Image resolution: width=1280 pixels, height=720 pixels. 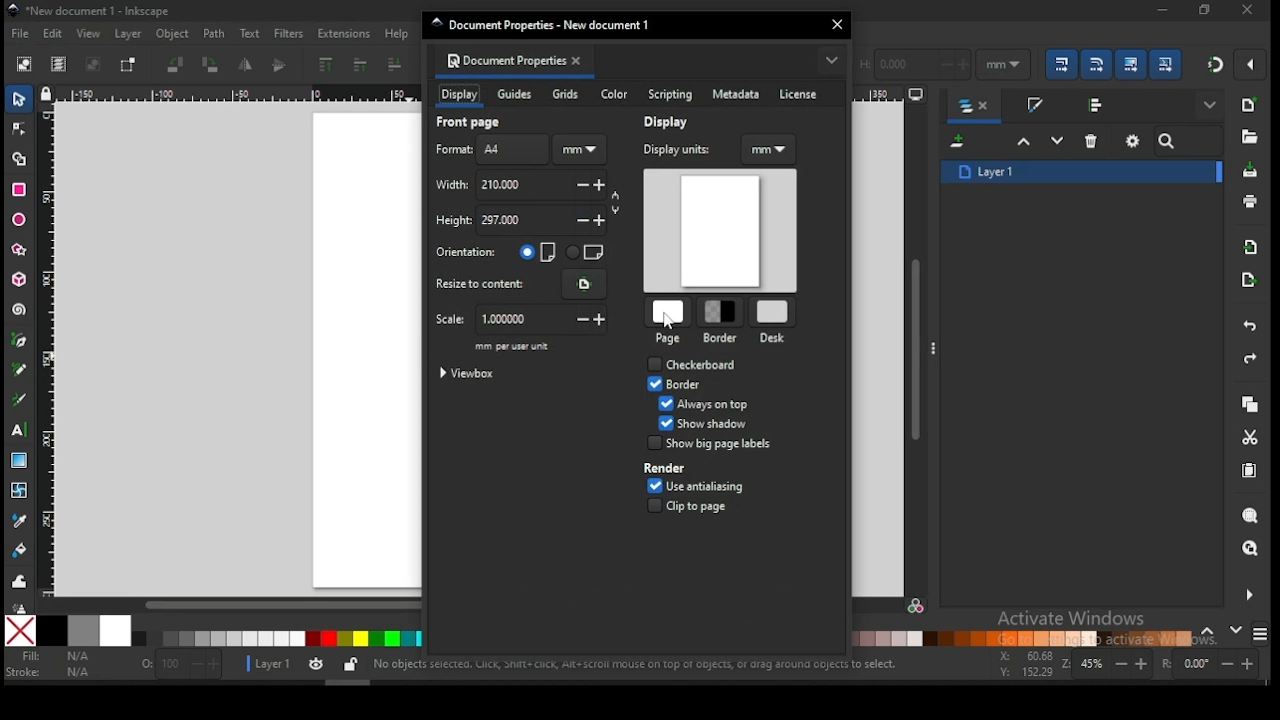 I want to click on mm per user unit, so click(x=512, y=348).